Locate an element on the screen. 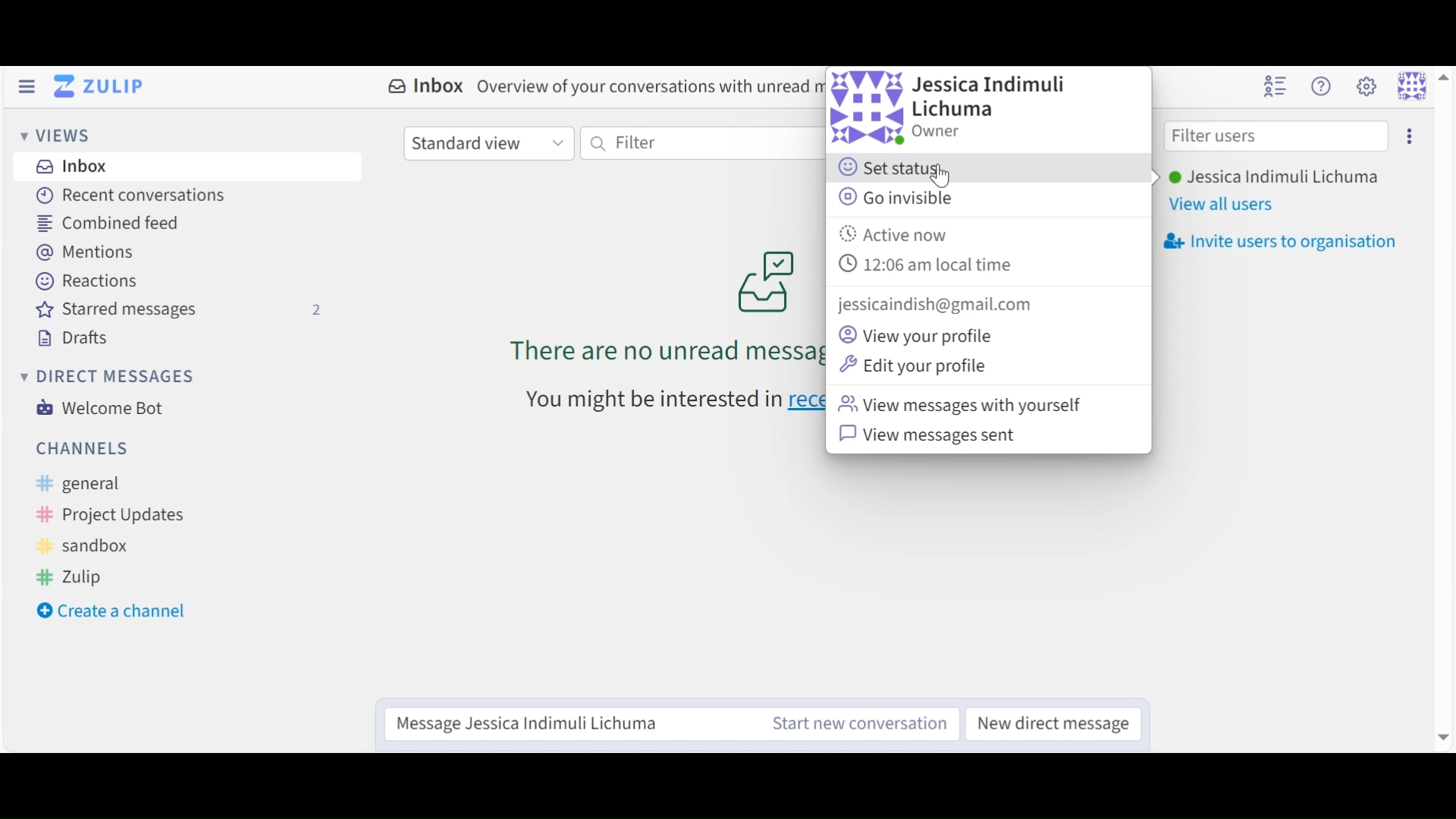 Image resolution: width=1456 pixels, height=819 pixels. Start a conversation is located at coordinates (853, 723).